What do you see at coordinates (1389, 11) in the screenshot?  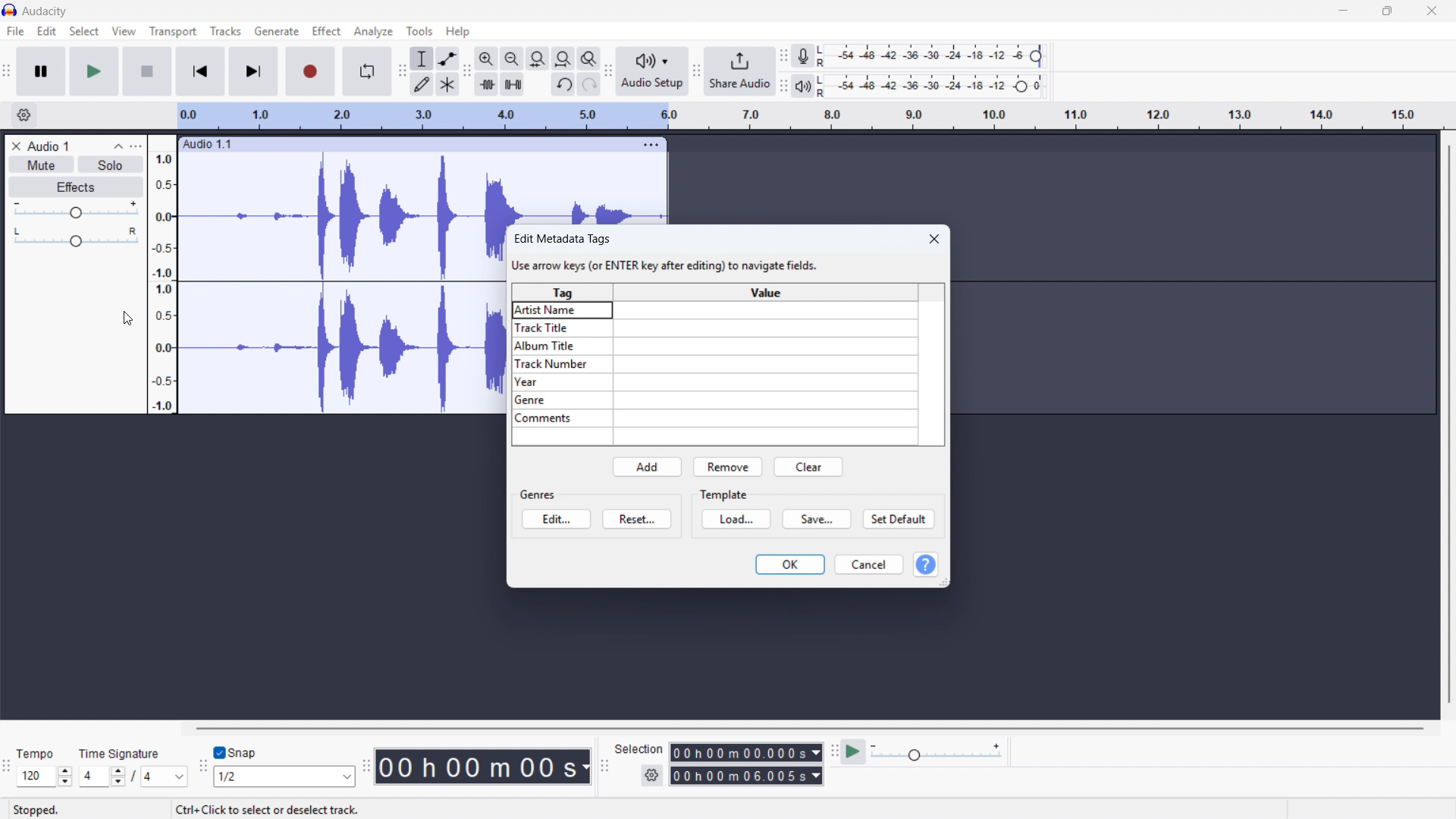 I see `maximize` at bounding box center [1389, 11].